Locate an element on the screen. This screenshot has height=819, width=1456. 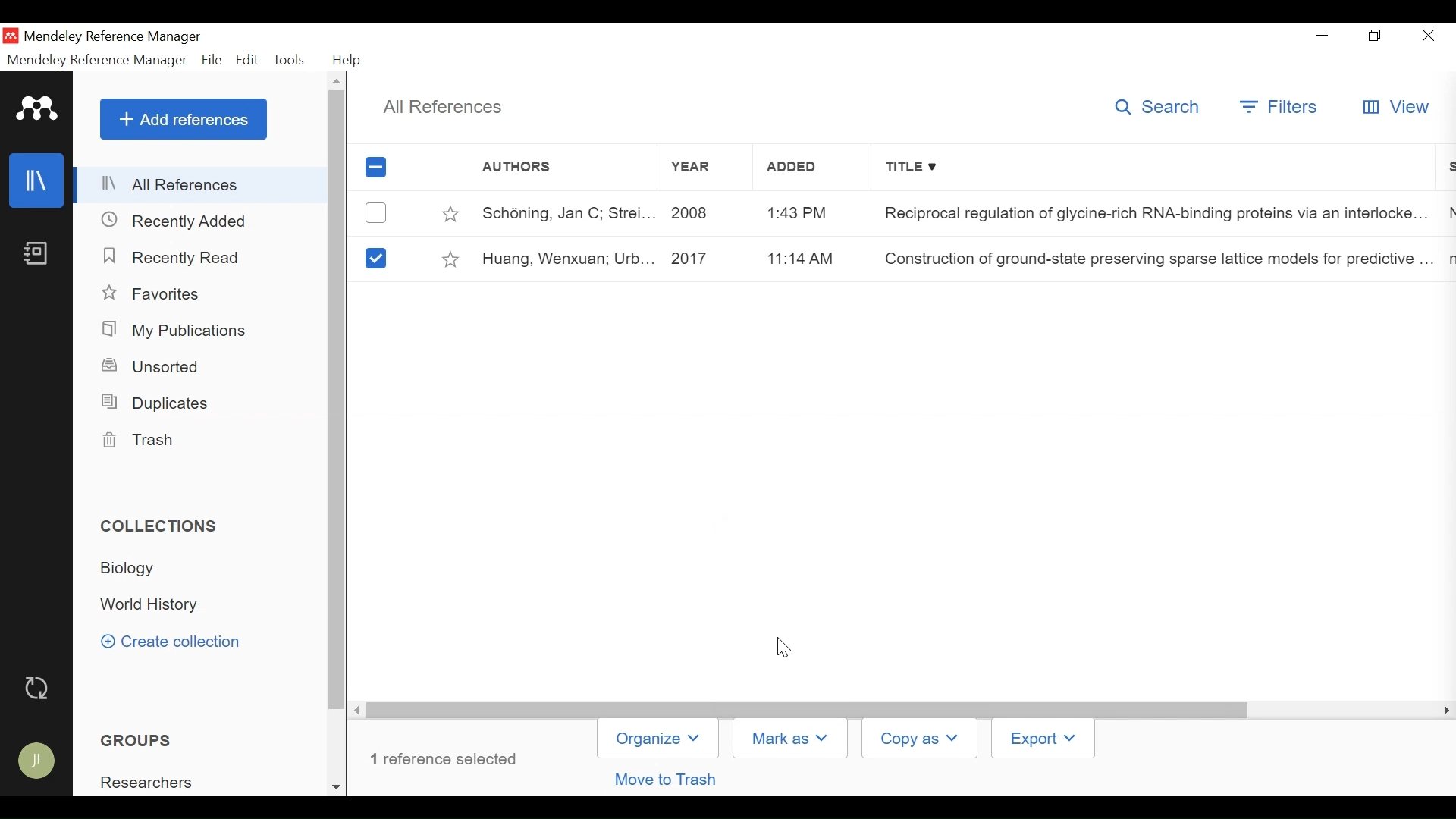
Library is located at coordinates (35, 180).